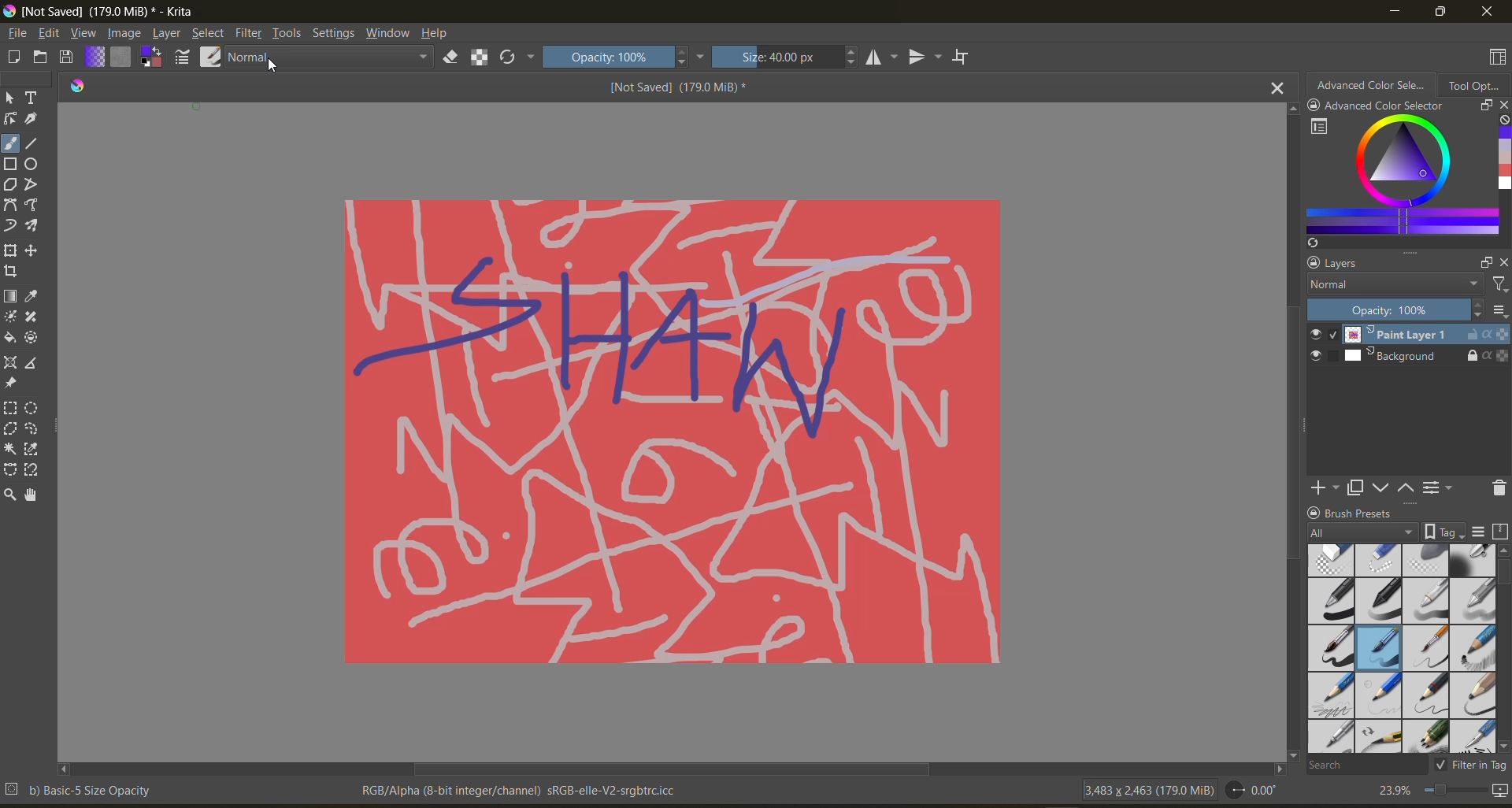 This screenshot has height=808, width=1512. What do you see at coordinates (1384, 488) in the screenshot?
I see `mask down` at bounding box center [1384, 488].